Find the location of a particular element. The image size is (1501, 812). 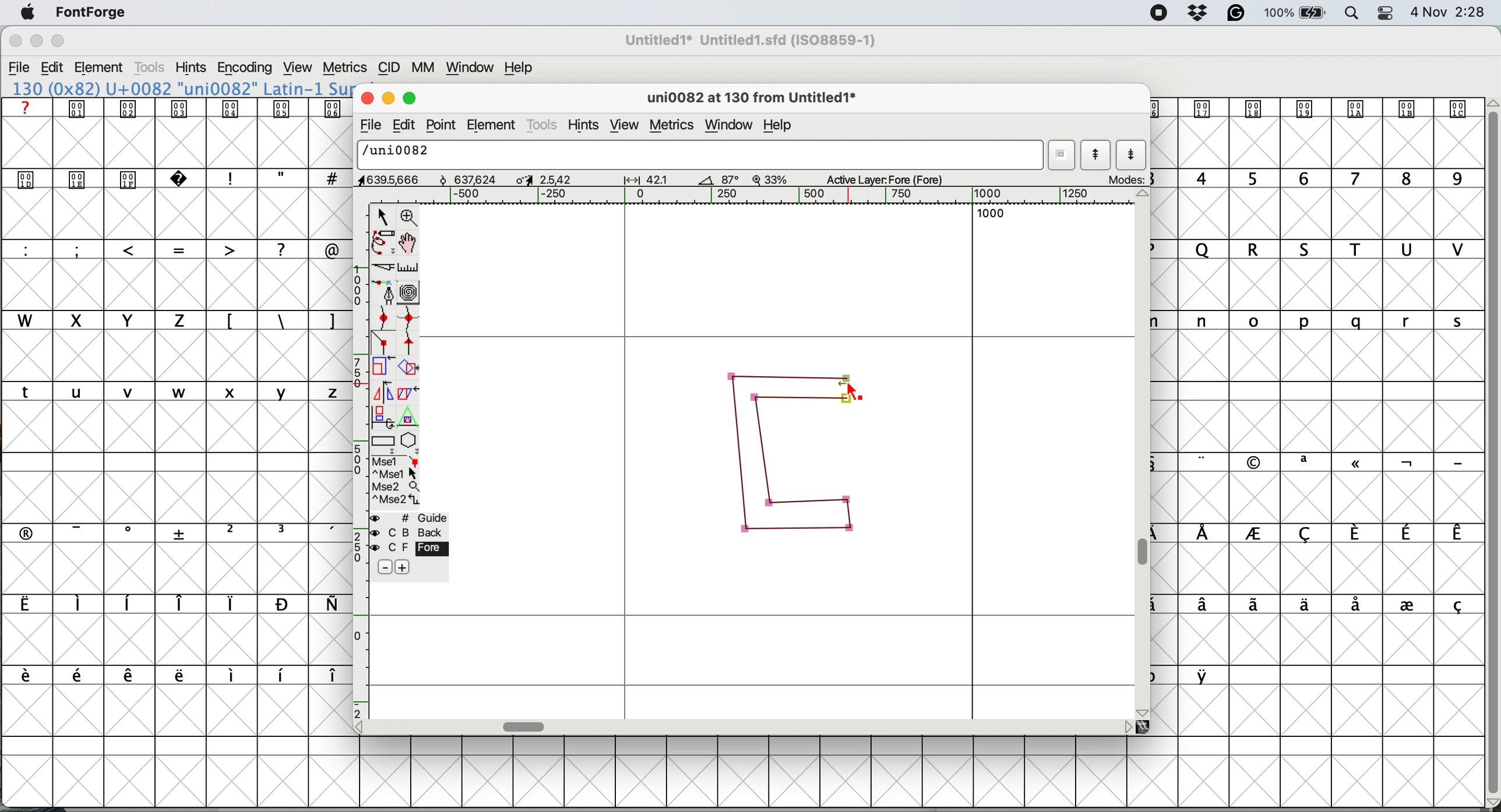

corner point connected is located at coordinates (821, 501).